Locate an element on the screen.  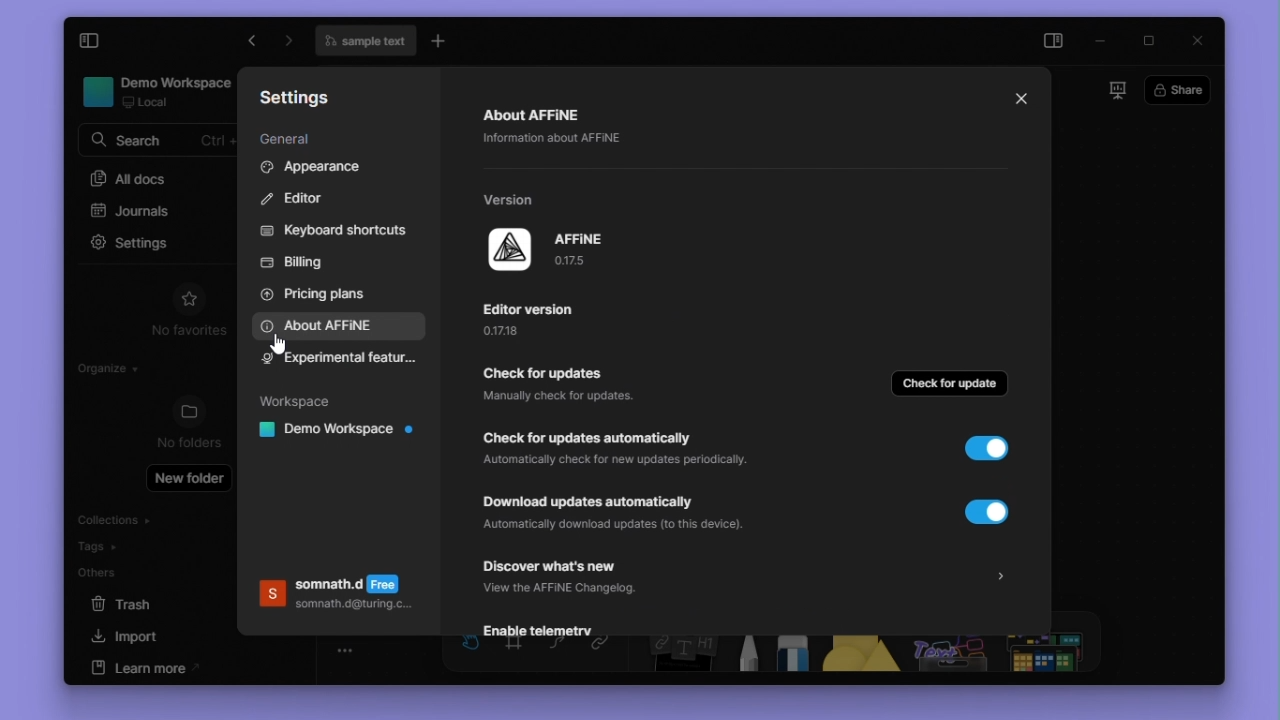
import is located at coordinates (133, 637).